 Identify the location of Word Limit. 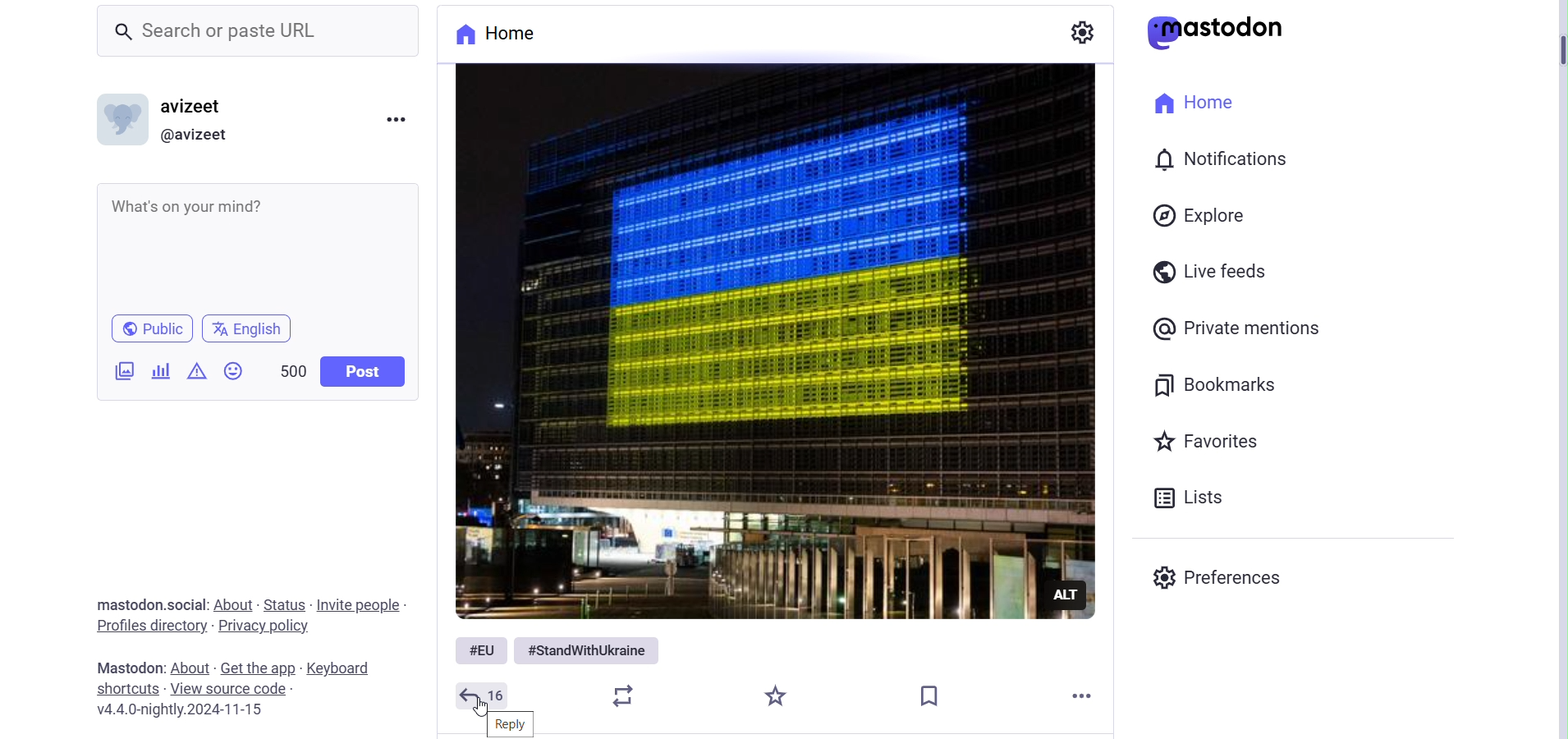
(294, 371).